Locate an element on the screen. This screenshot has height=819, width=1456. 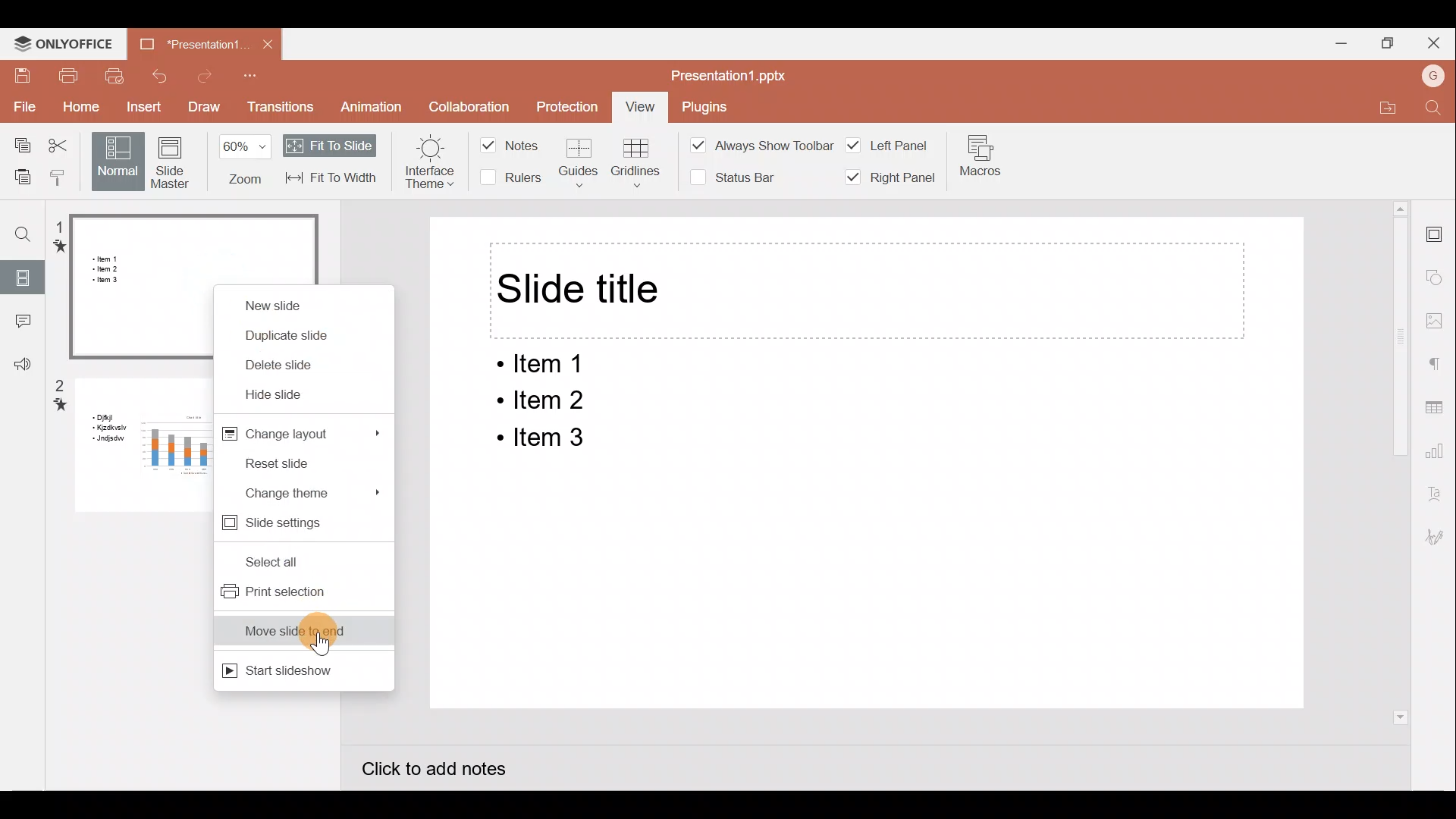
File is located at coordinates (21, 107).